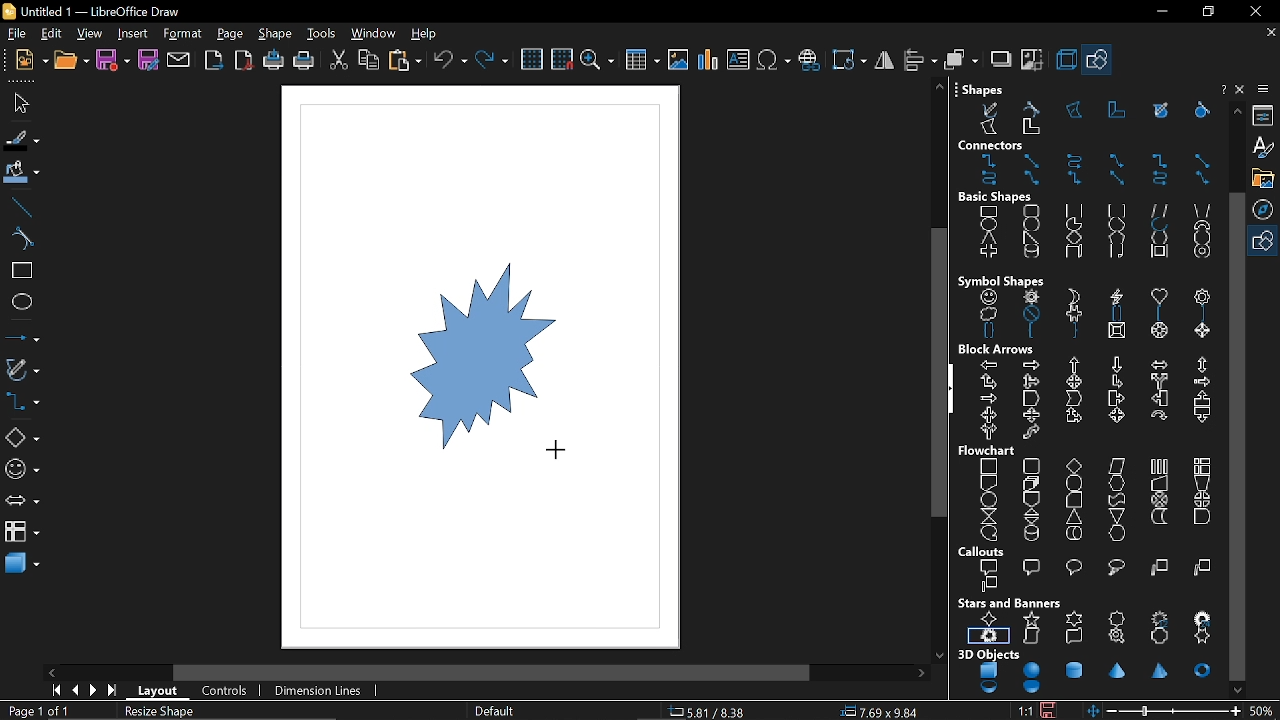  What do you see at coordinates (20, 174) in the screenshot?
I see `fill color` at bounding box center [20, 174].